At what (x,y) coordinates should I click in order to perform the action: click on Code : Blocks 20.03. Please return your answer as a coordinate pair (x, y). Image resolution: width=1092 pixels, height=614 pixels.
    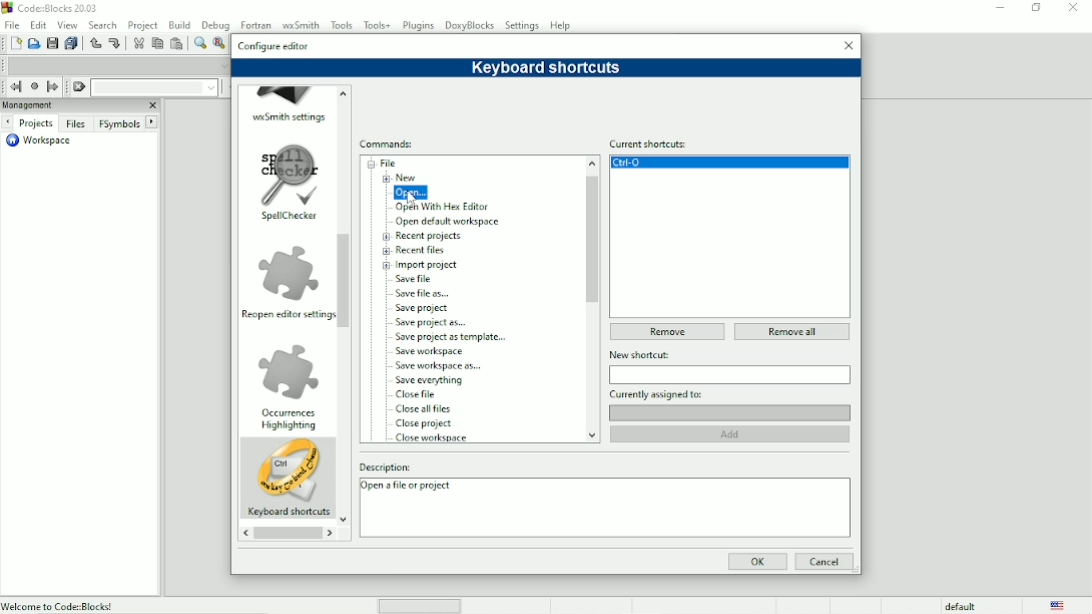
    Looking at the image, I should click on (53, 7).